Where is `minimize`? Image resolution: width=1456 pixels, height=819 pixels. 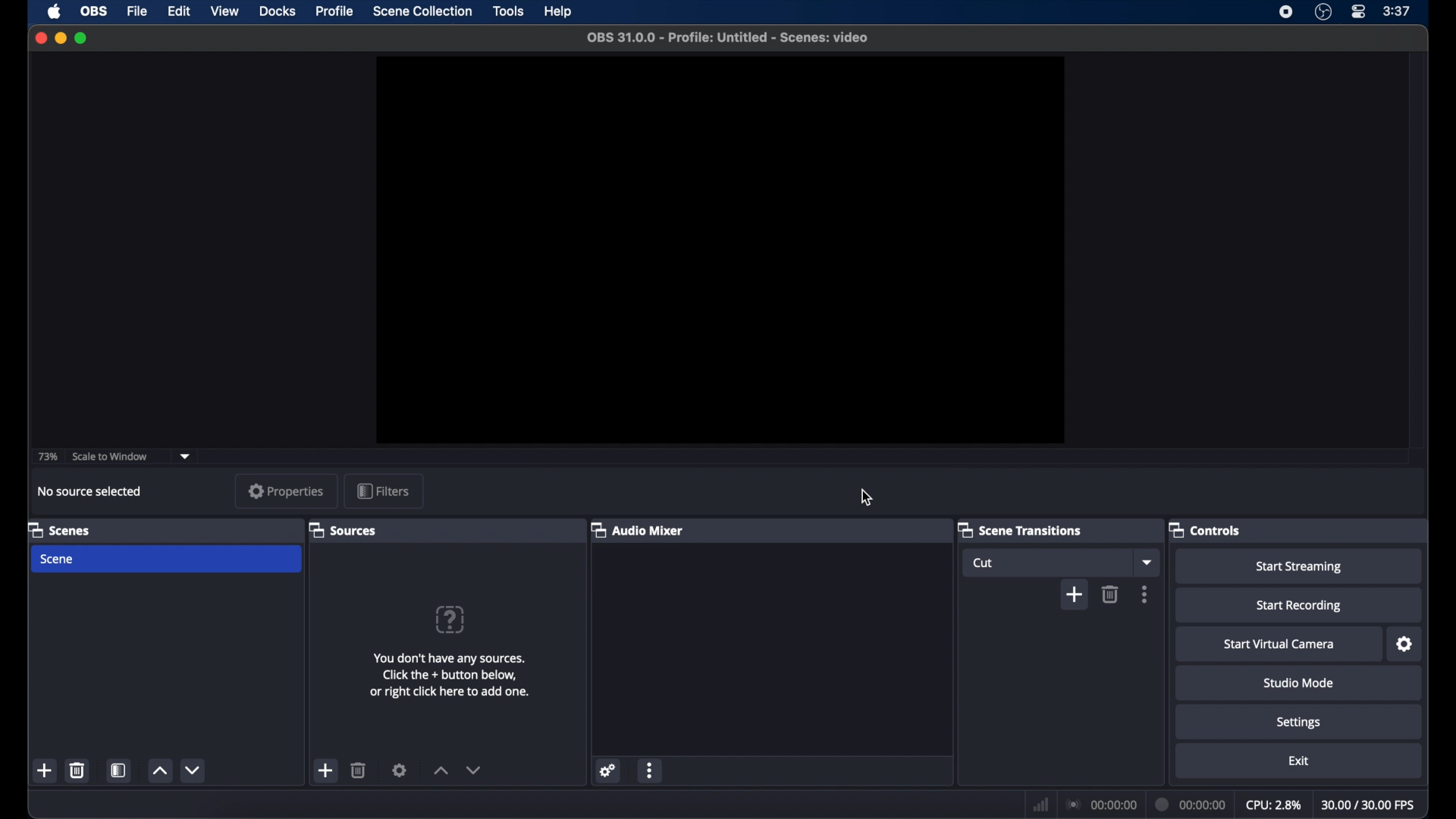 minimize is located at coordinates (60, 39).